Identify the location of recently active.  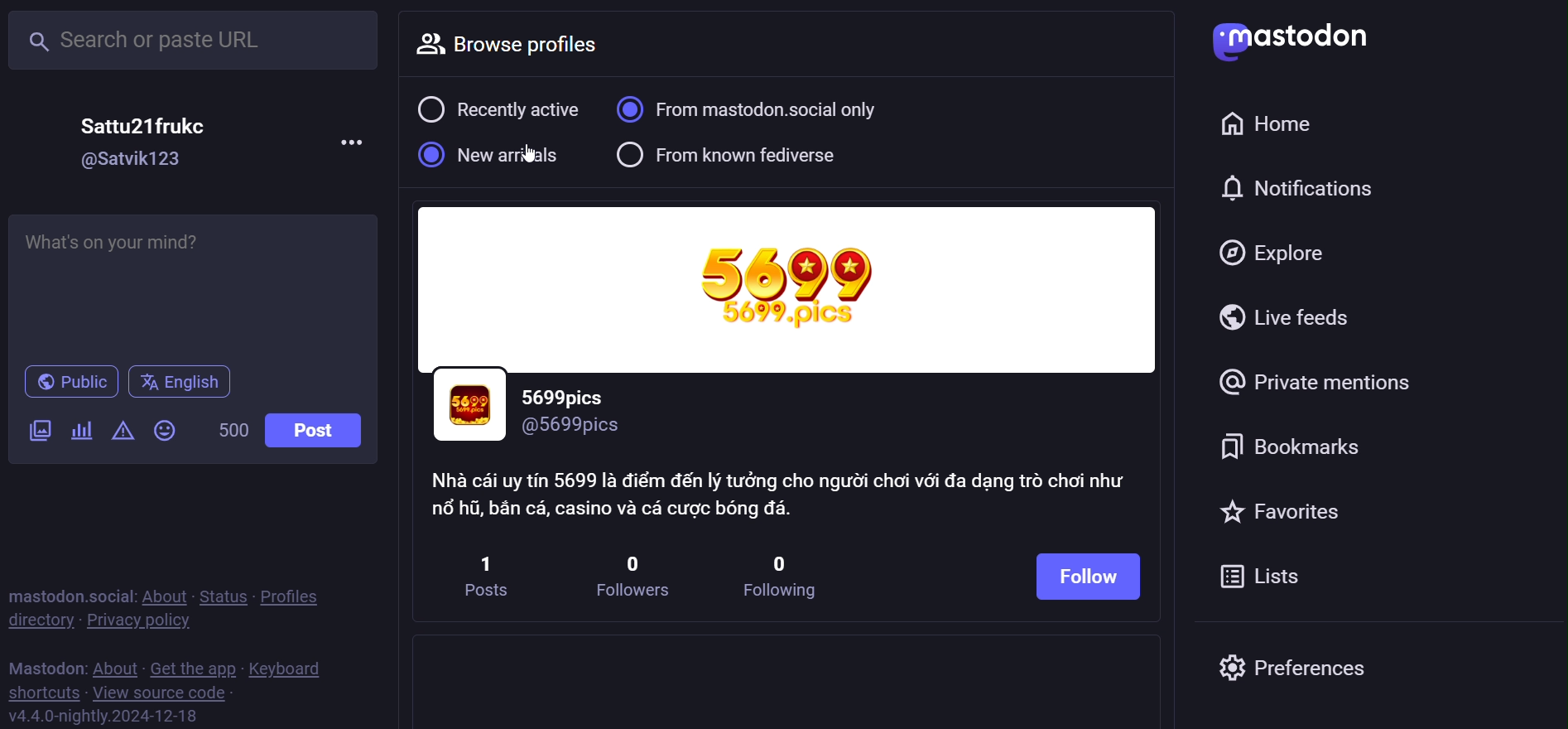
(497, 106).